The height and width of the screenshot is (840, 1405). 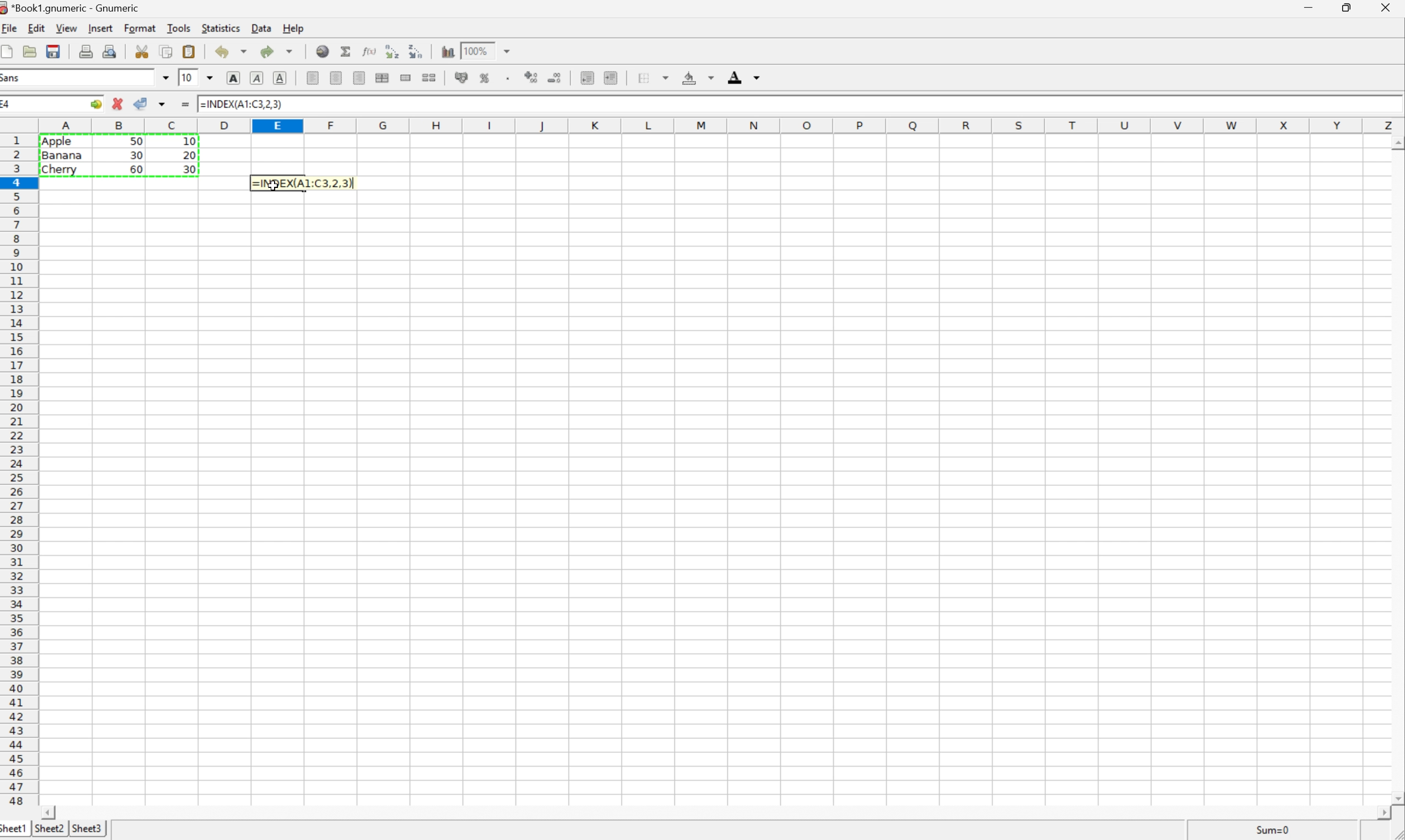 I want to click on cancel changes, so click(x=118, y=104).